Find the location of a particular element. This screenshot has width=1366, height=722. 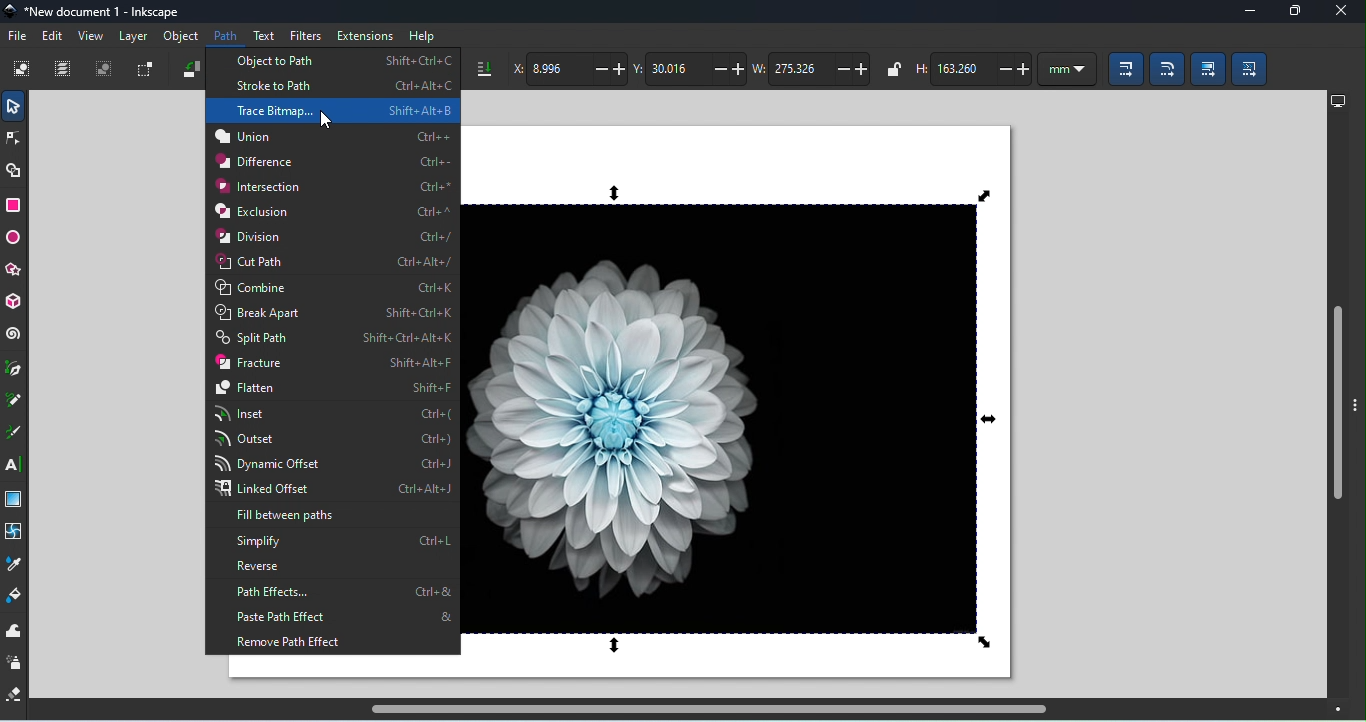

Paste path effect is located at coordinates (339, 618).